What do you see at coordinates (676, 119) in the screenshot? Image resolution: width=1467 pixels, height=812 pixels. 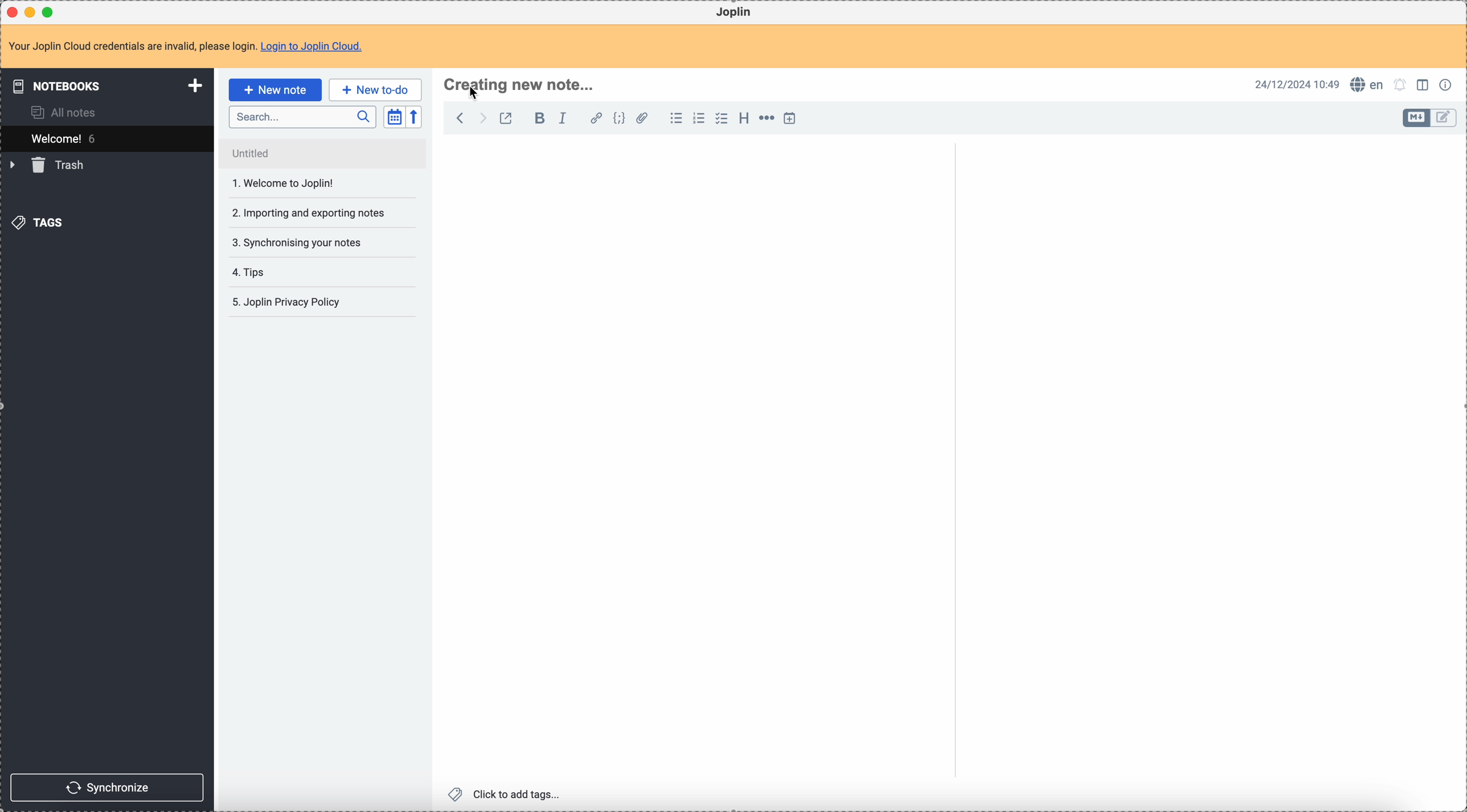 I see `bulleted list` at bounding box center [676, 119].